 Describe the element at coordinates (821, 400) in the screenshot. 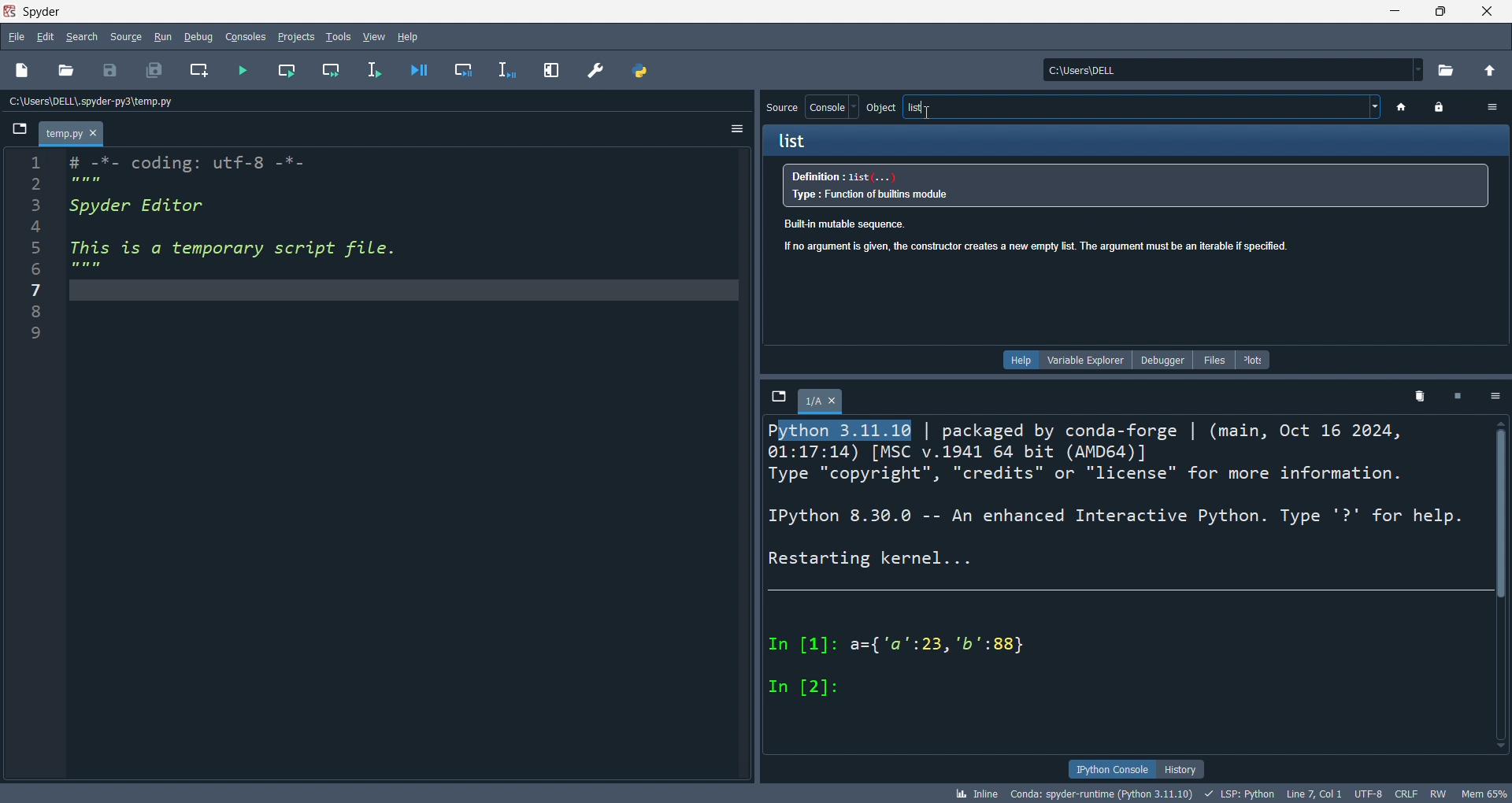

I see `1/A tab` at that location.